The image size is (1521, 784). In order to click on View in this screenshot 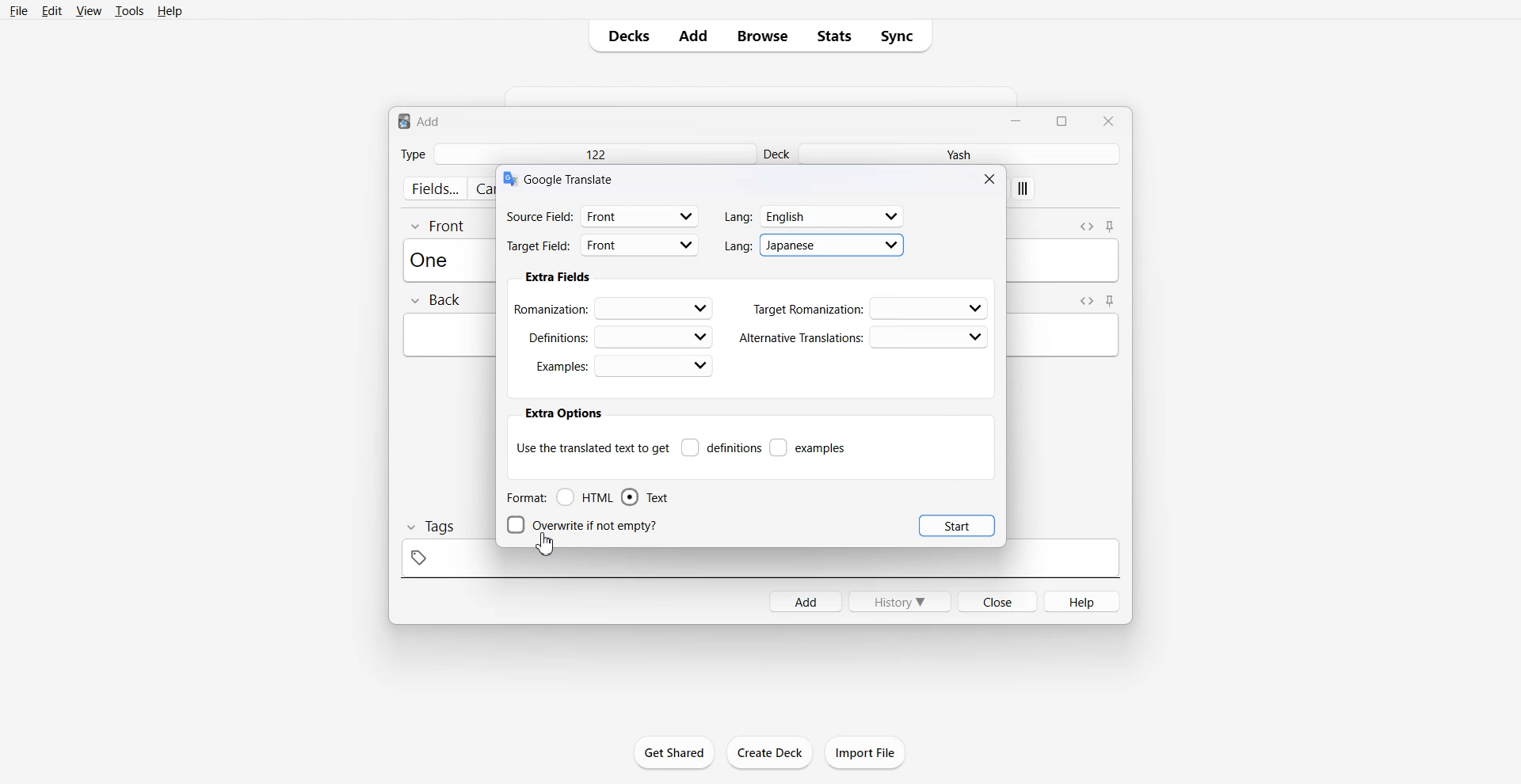, I will do `click(87, 10)`.